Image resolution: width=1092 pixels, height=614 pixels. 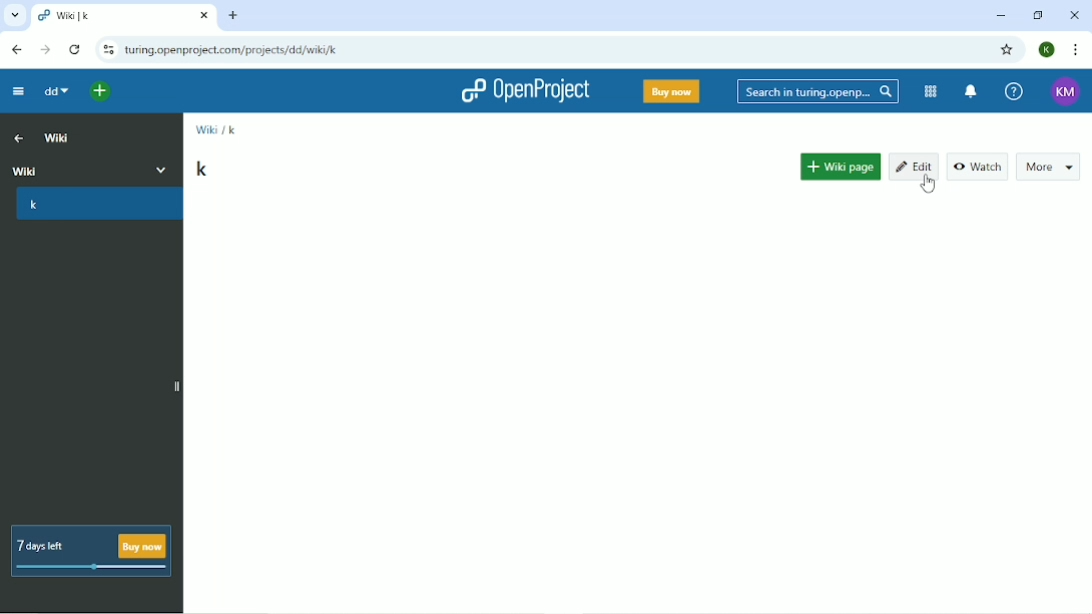 I want to click on OpenProject, so click(x=523, y=92).